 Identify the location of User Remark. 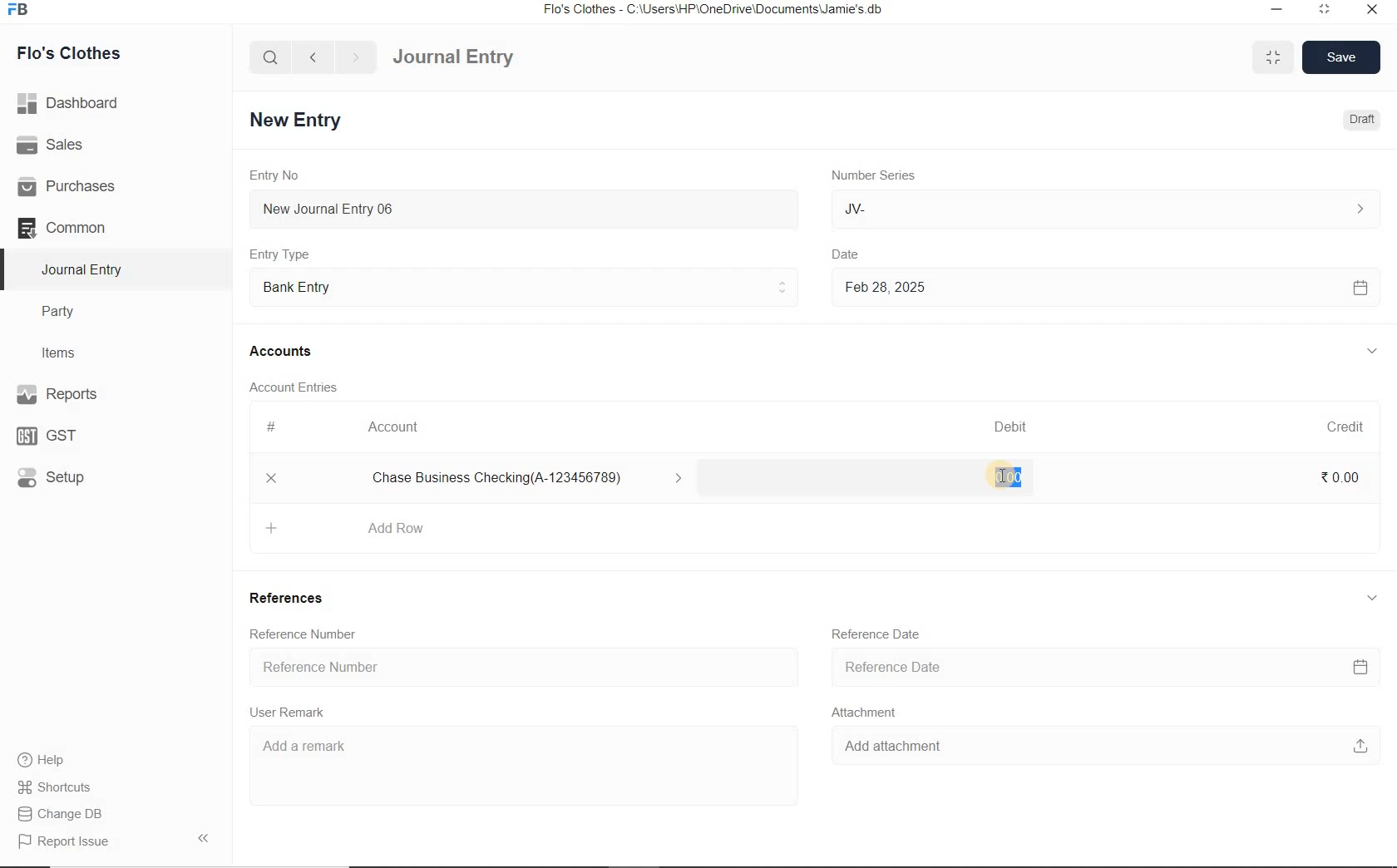
(292, 713).